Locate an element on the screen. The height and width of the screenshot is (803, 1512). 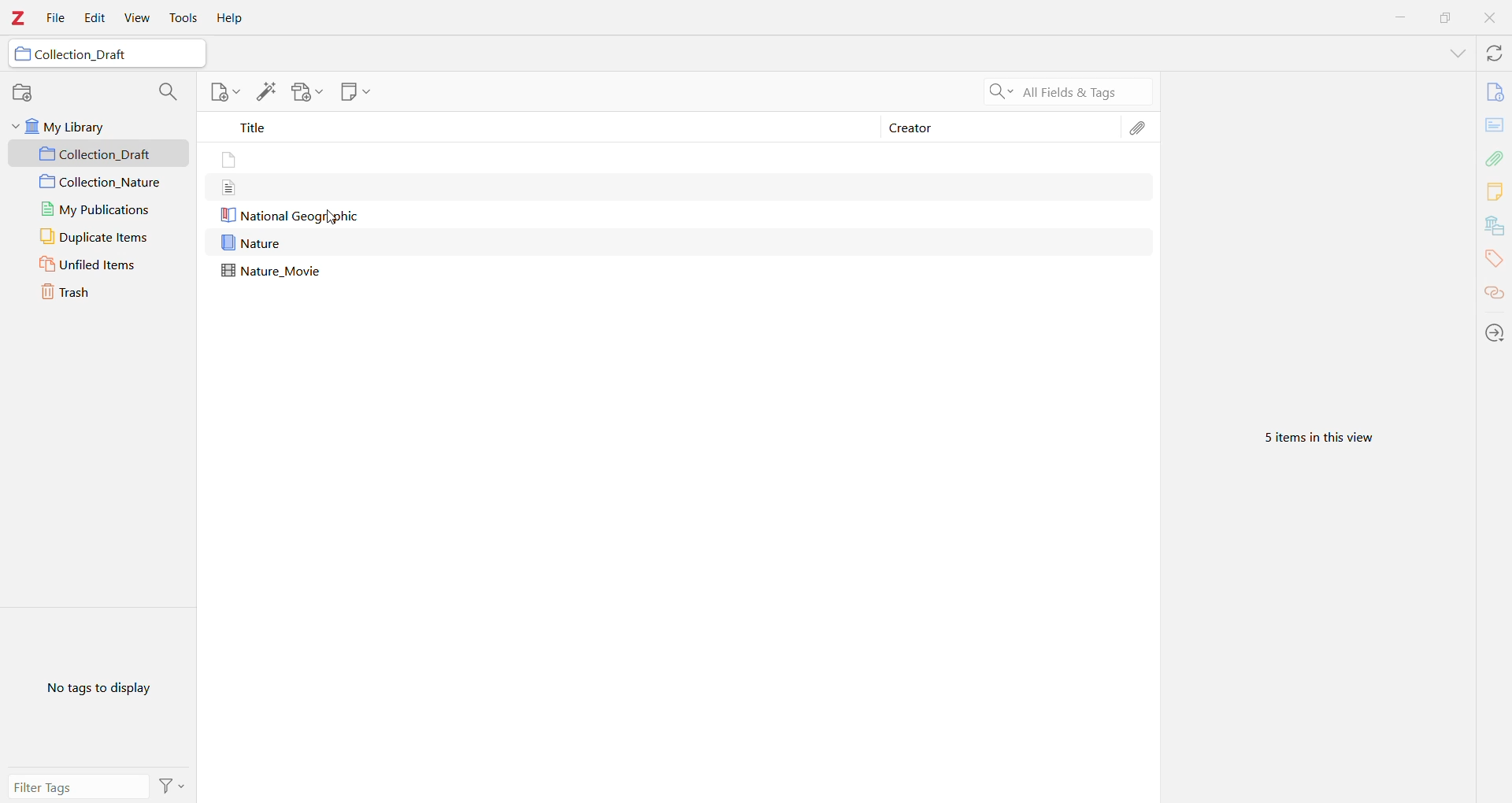
Attachments is located at coordinates (1141, 128).